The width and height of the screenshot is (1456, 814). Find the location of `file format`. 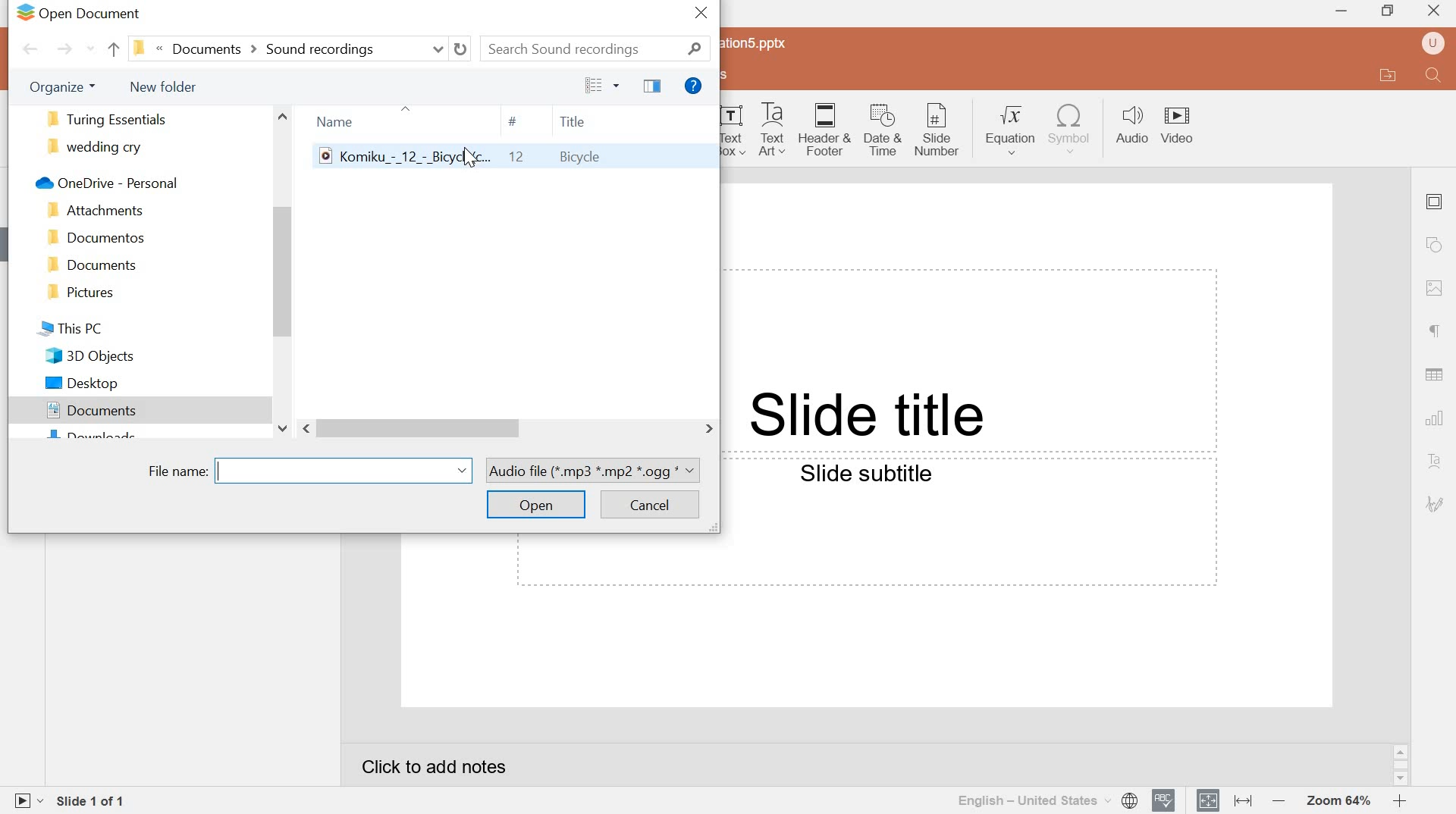

file format is located at coordinates (595, 471).